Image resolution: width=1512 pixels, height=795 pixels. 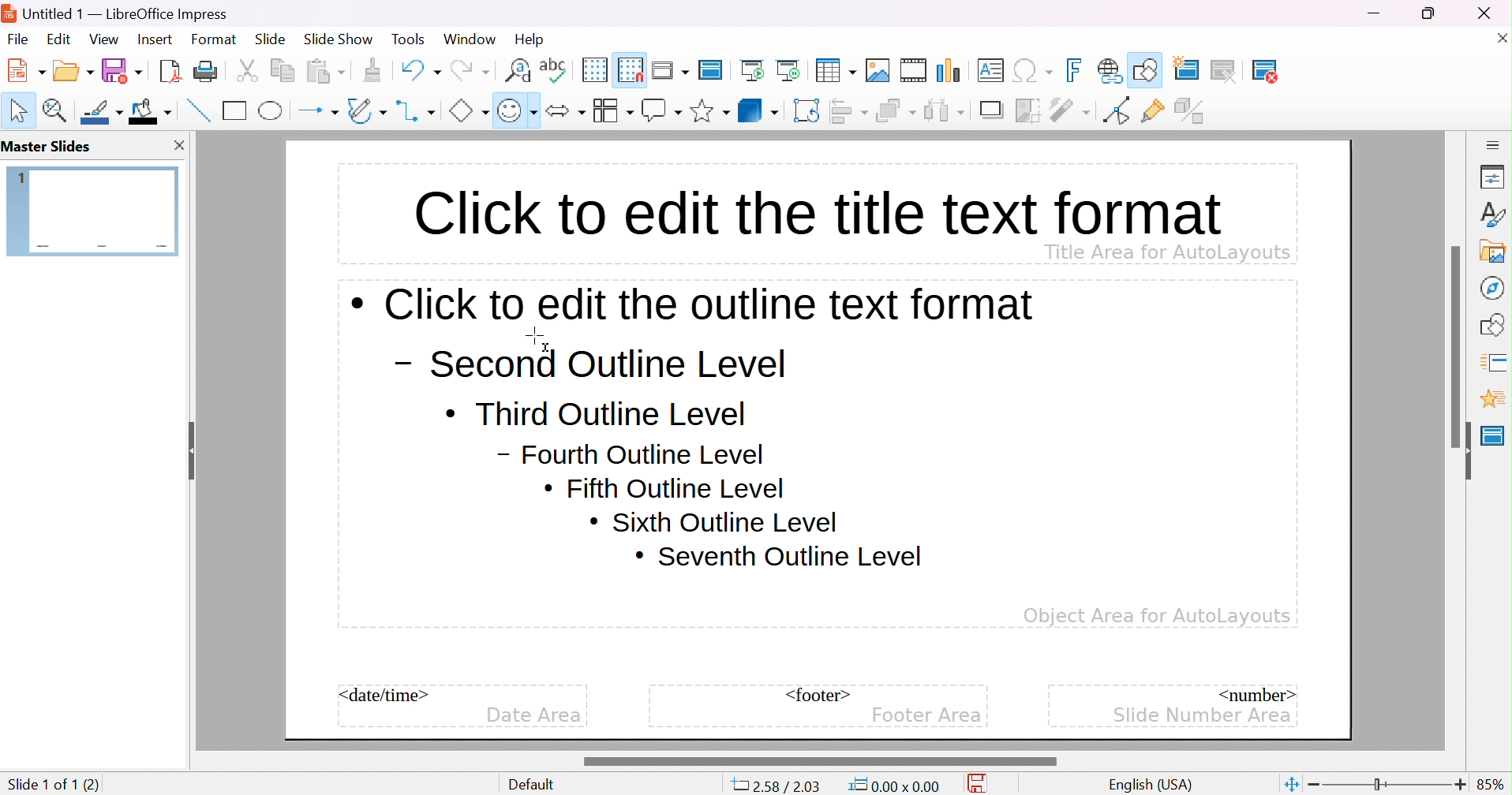 I want to click on redo, so click(x=469, y=68).